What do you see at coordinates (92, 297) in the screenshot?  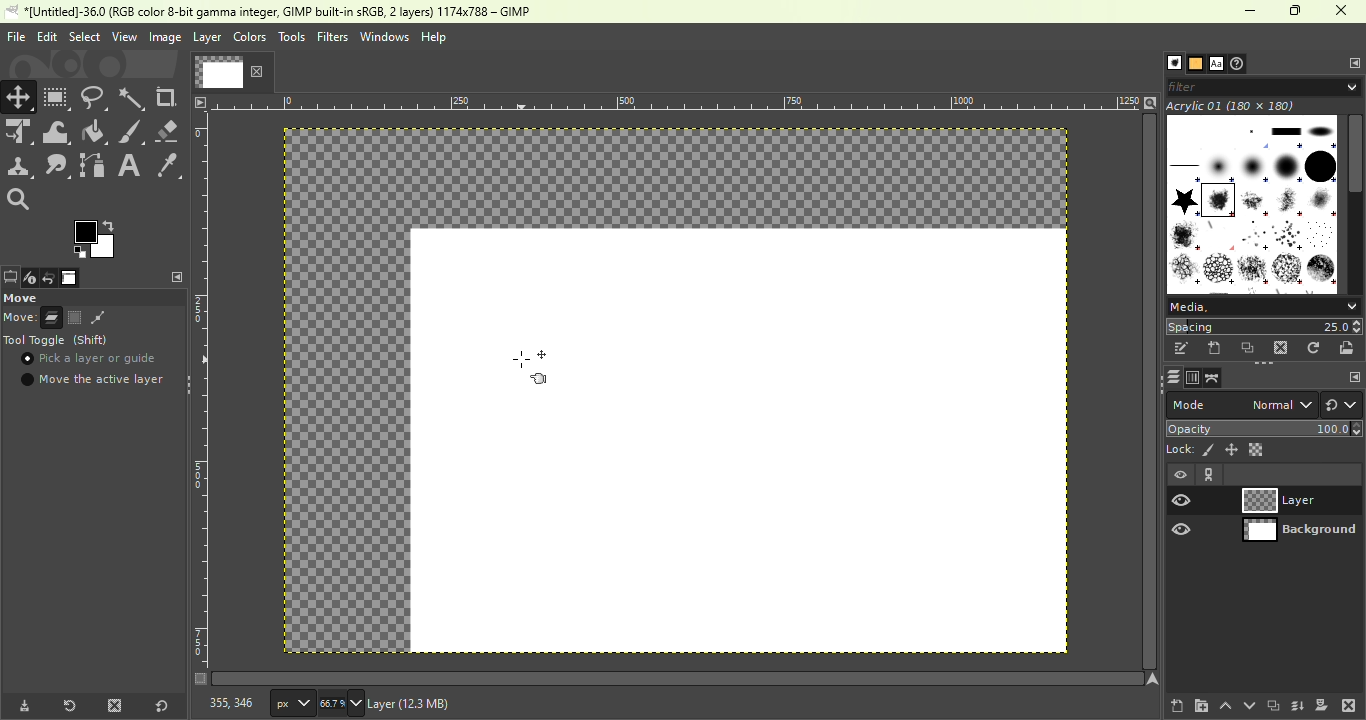 I see `Free select` at bounding box center [92, 297].